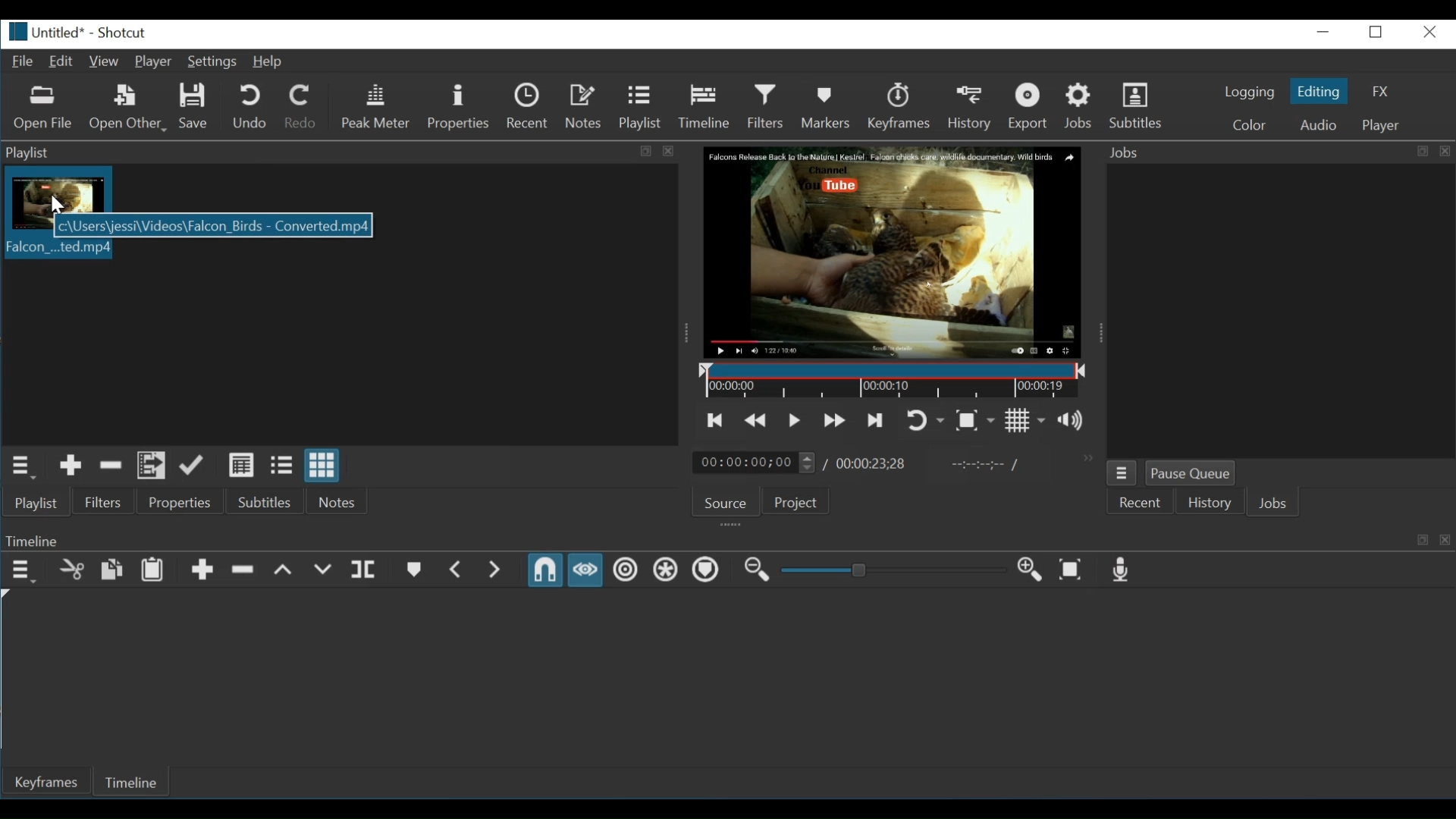  Describe the element at coordinates (49, 783) in the screenshot. I see `Keyframe` at that location.